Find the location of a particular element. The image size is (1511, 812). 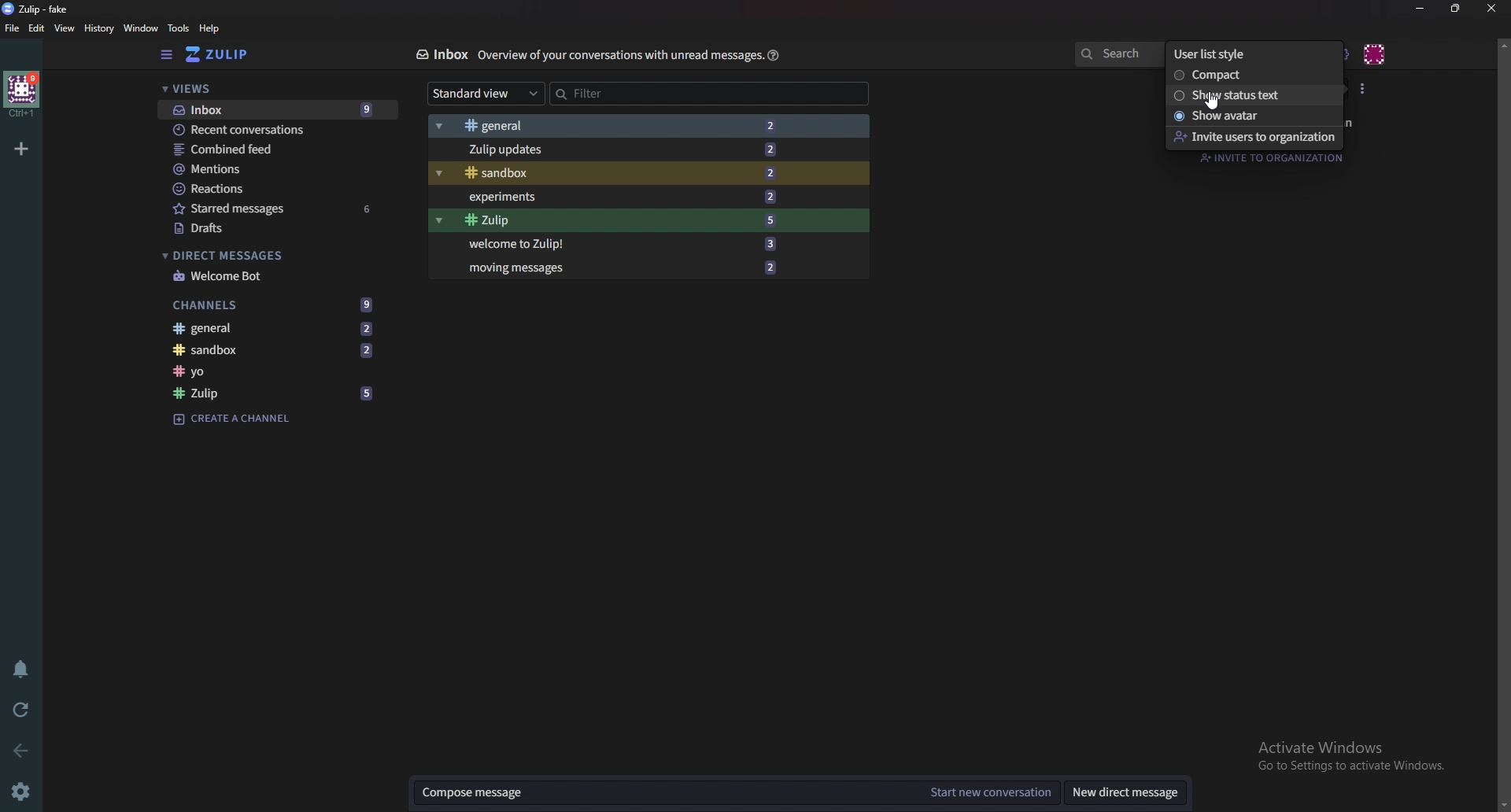

General is located at coordinates (615, 127).